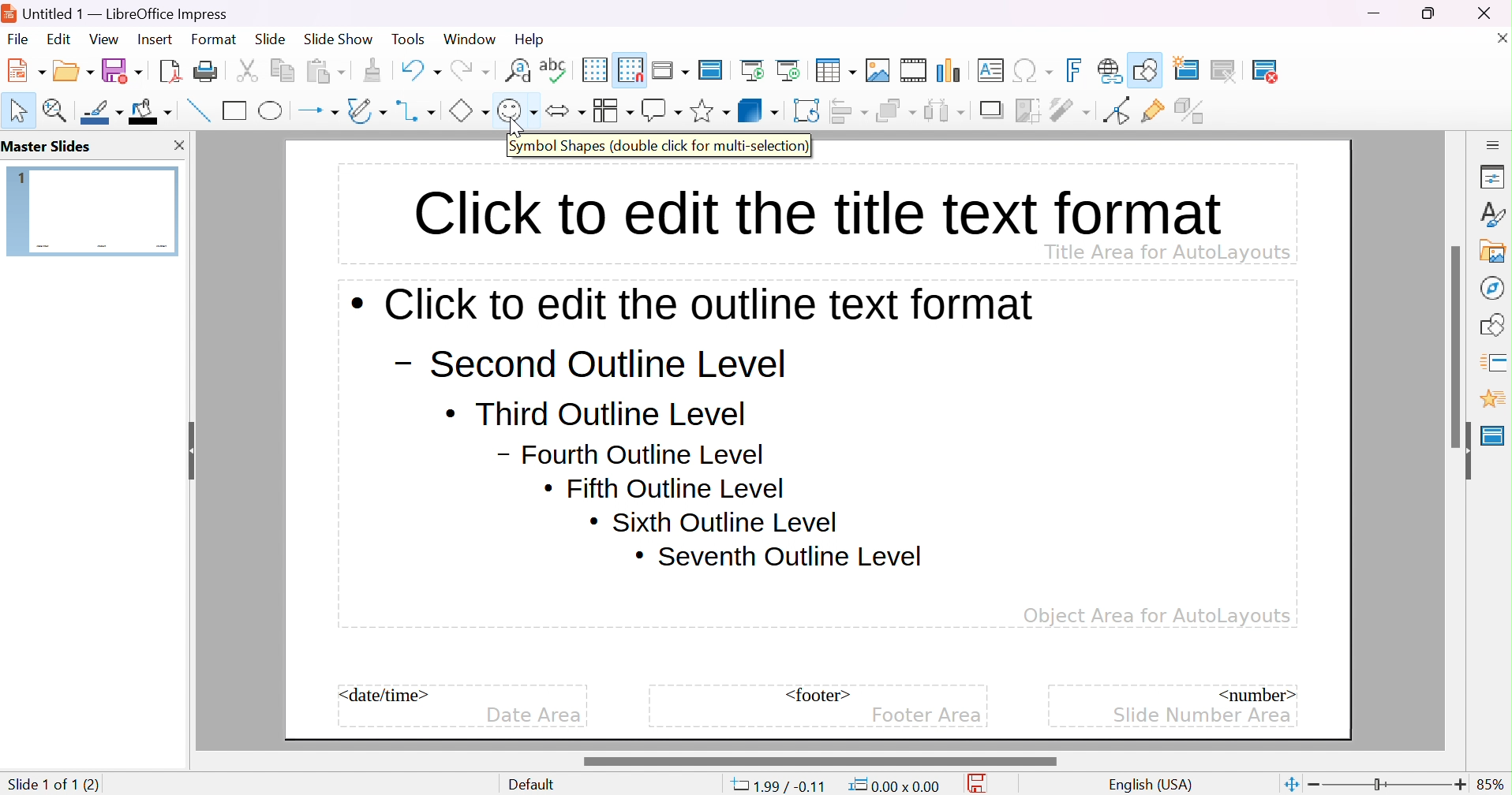  Describe the element at coordinates (247, 70) in the screenshot. I see `cut` at that location.